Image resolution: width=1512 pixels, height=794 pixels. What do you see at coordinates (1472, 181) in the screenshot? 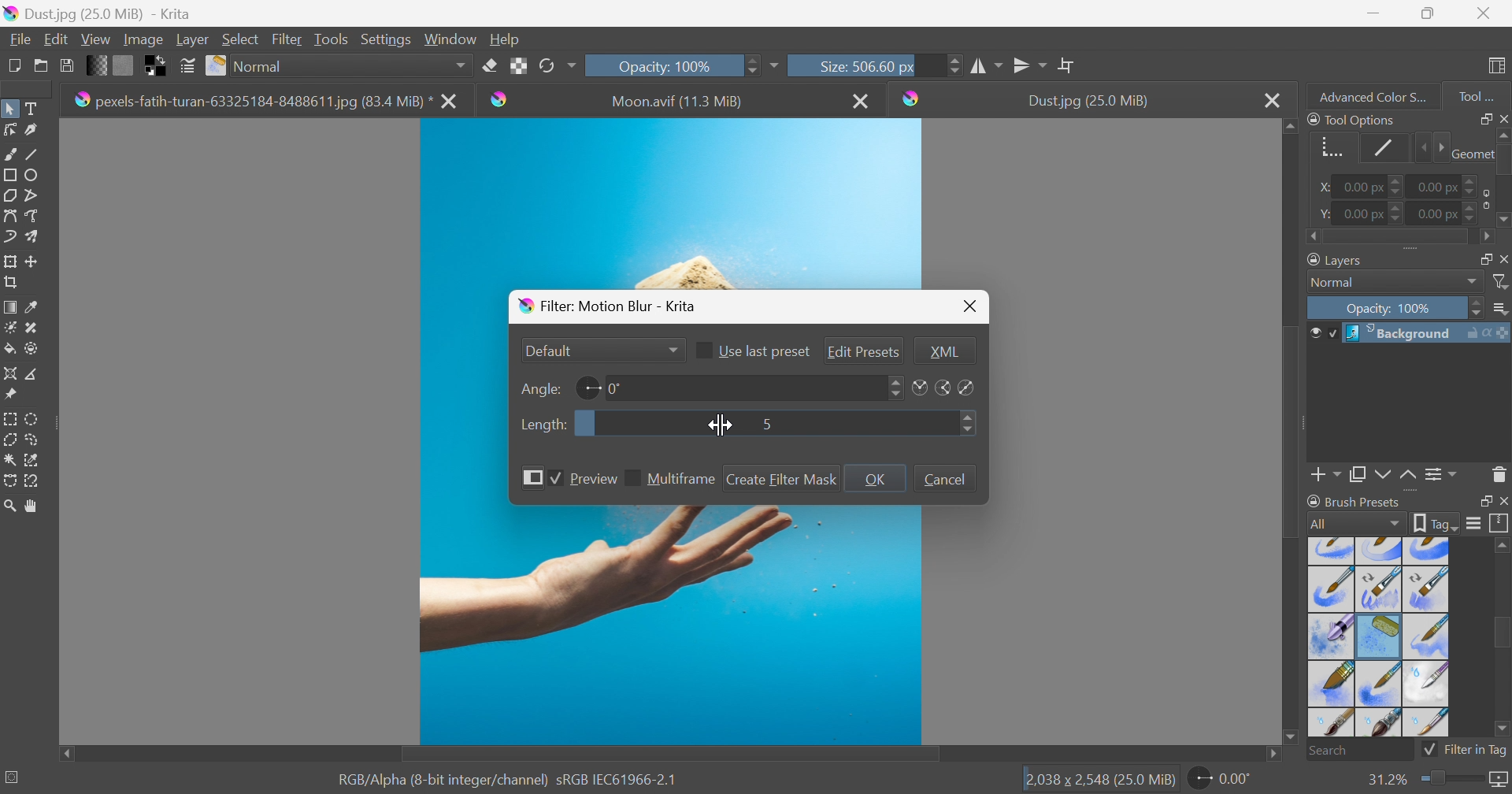
I see `Slider` at bounding box center [1472, 181].